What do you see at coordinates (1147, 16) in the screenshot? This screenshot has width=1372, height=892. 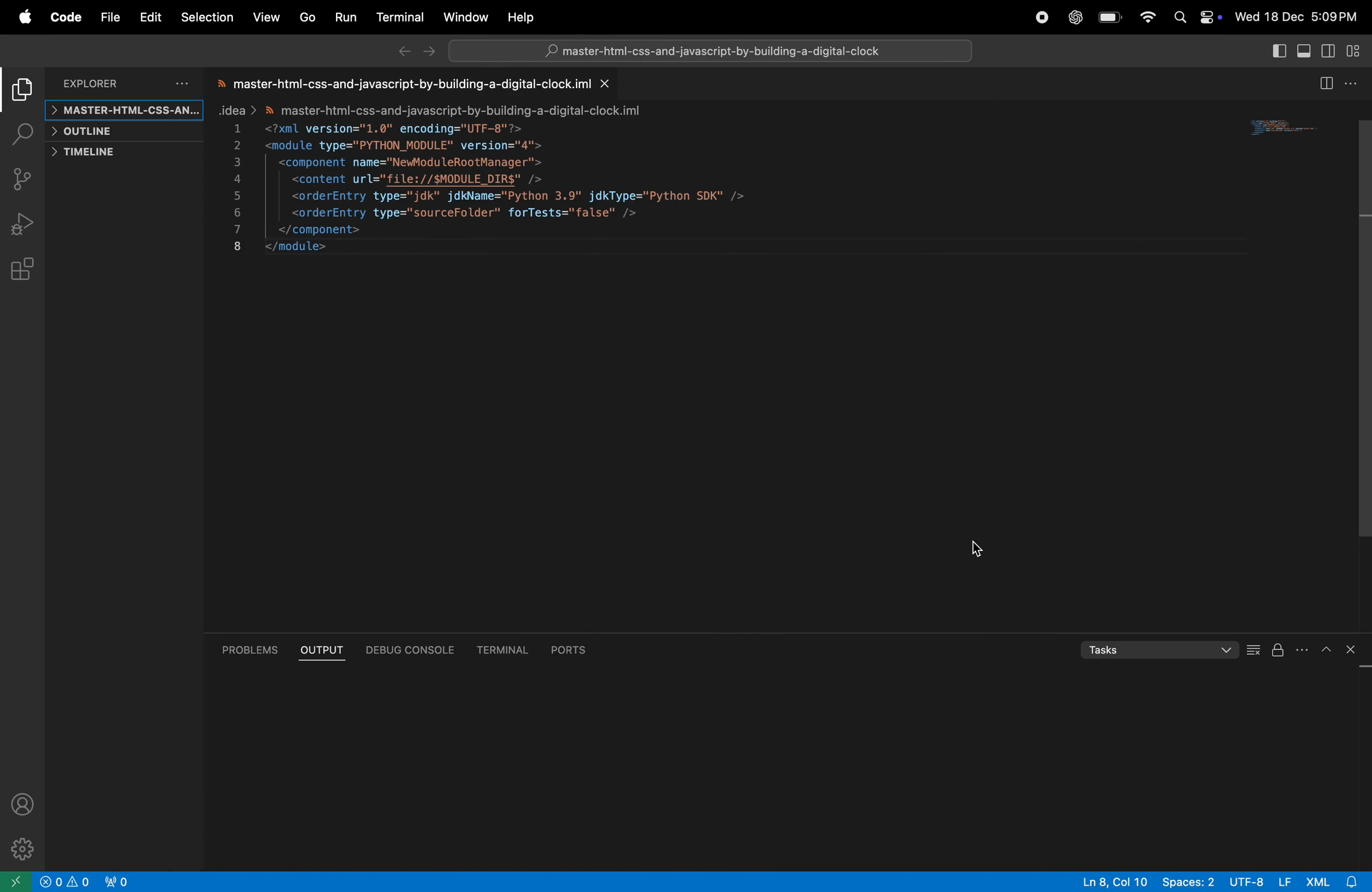 I see `` at bounding box center [1147, 16].